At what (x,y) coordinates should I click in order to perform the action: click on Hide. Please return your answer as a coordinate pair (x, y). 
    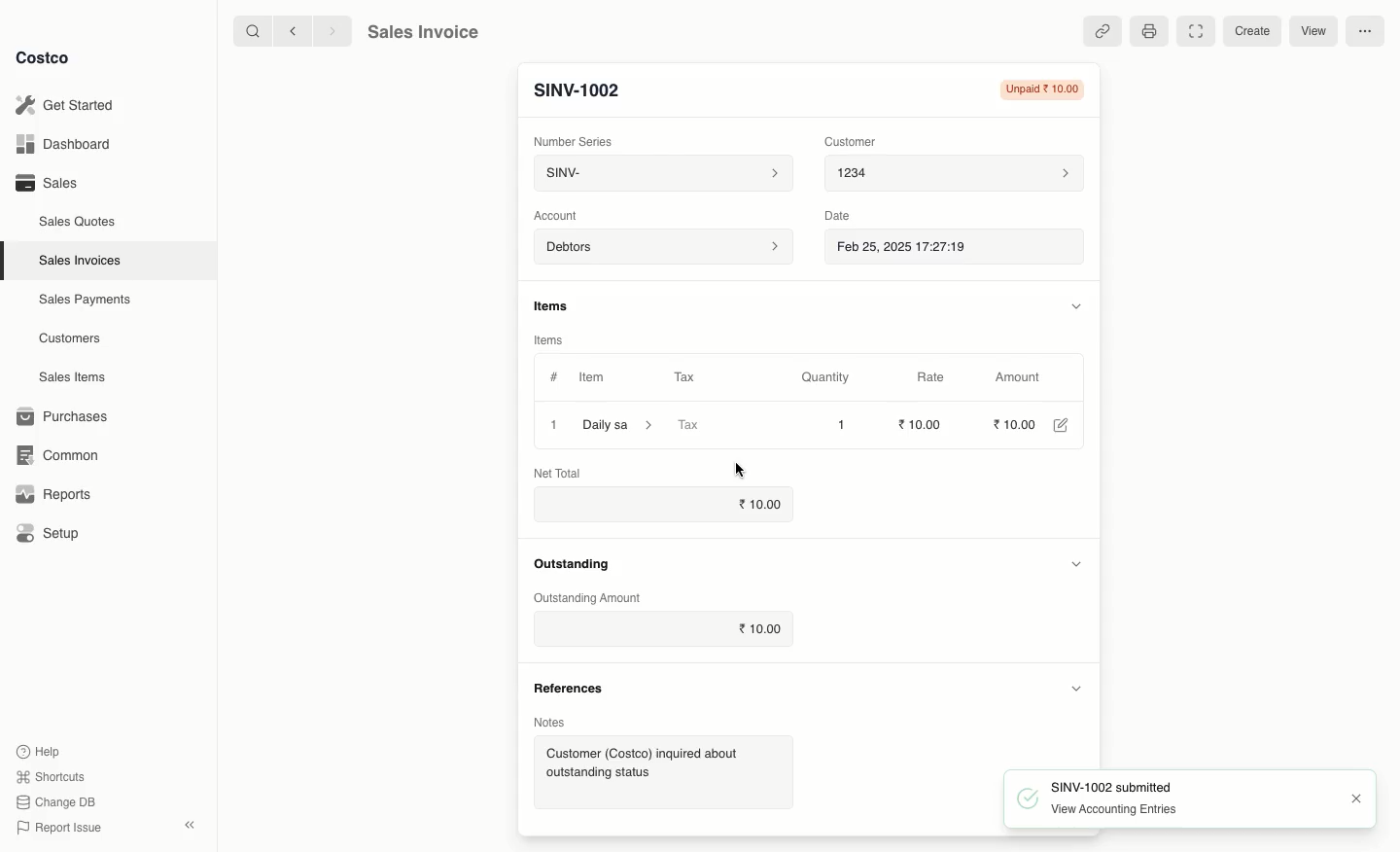
    Looking at the image, I should click on (1069, 305).